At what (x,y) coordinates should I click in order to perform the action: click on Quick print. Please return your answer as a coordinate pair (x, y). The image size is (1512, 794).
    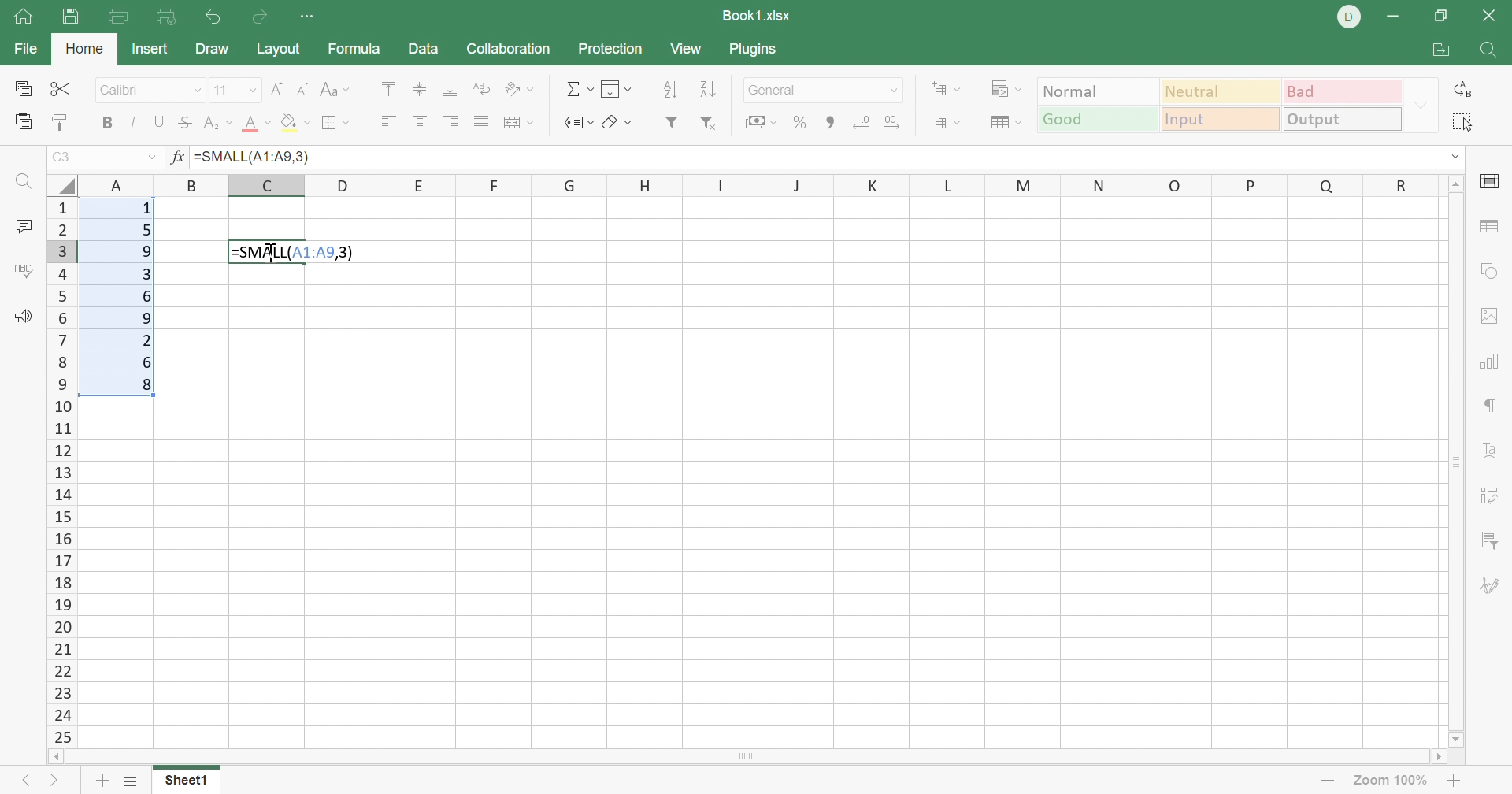
    Looking at the image, I should click on (165, 16).